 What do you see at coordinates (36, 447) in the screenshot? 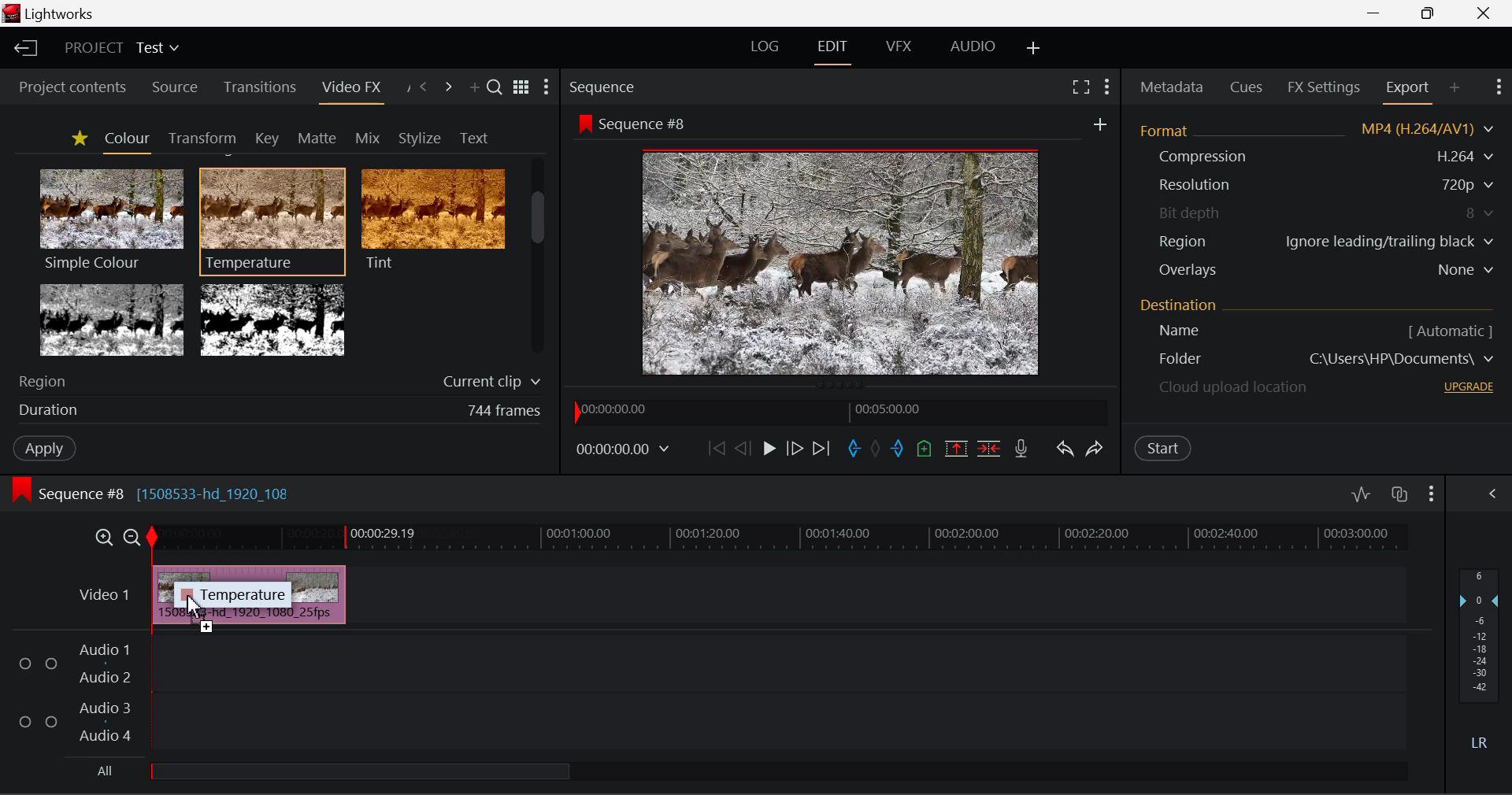
I see `Apply` at bounding box center [36, 447].